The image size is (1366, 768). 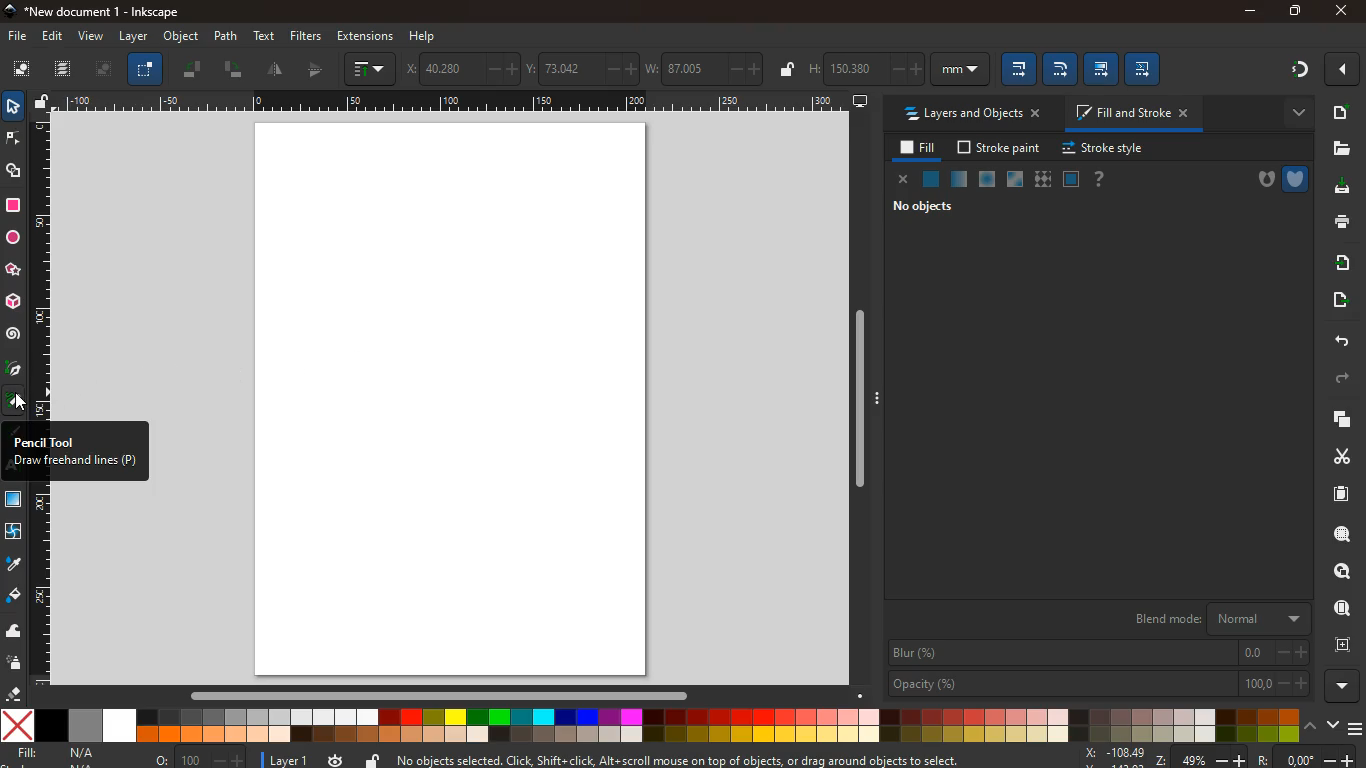 What do you see at coordinates (900, 179) in the screenshot?
I see `close` at bounding box center [900, 179].